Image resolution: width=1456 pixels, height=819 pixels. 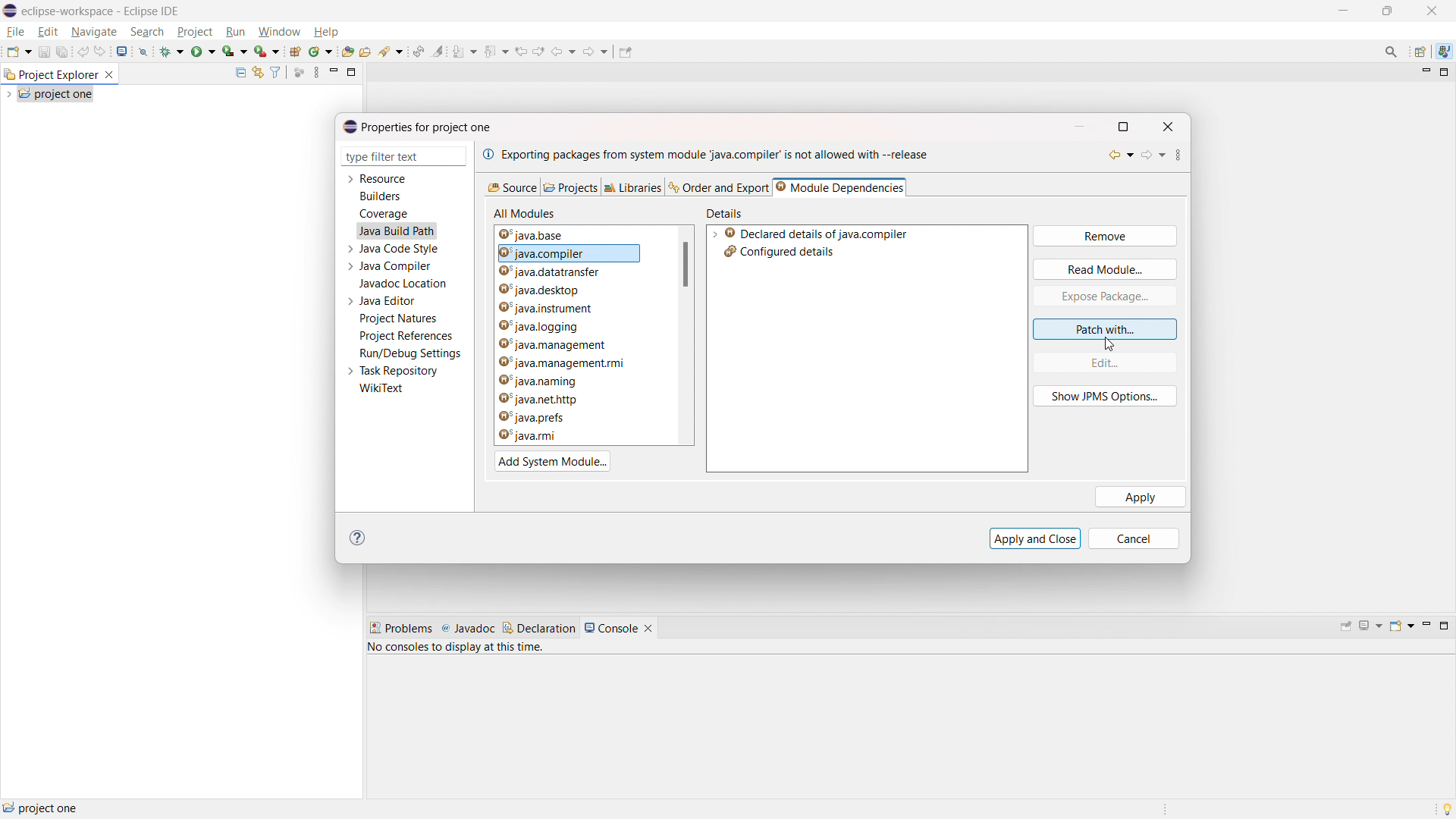 What do you see at coordinates (350, 266) in the screenshot?
I see `expand java compiler` at bounding box center [350, 266].